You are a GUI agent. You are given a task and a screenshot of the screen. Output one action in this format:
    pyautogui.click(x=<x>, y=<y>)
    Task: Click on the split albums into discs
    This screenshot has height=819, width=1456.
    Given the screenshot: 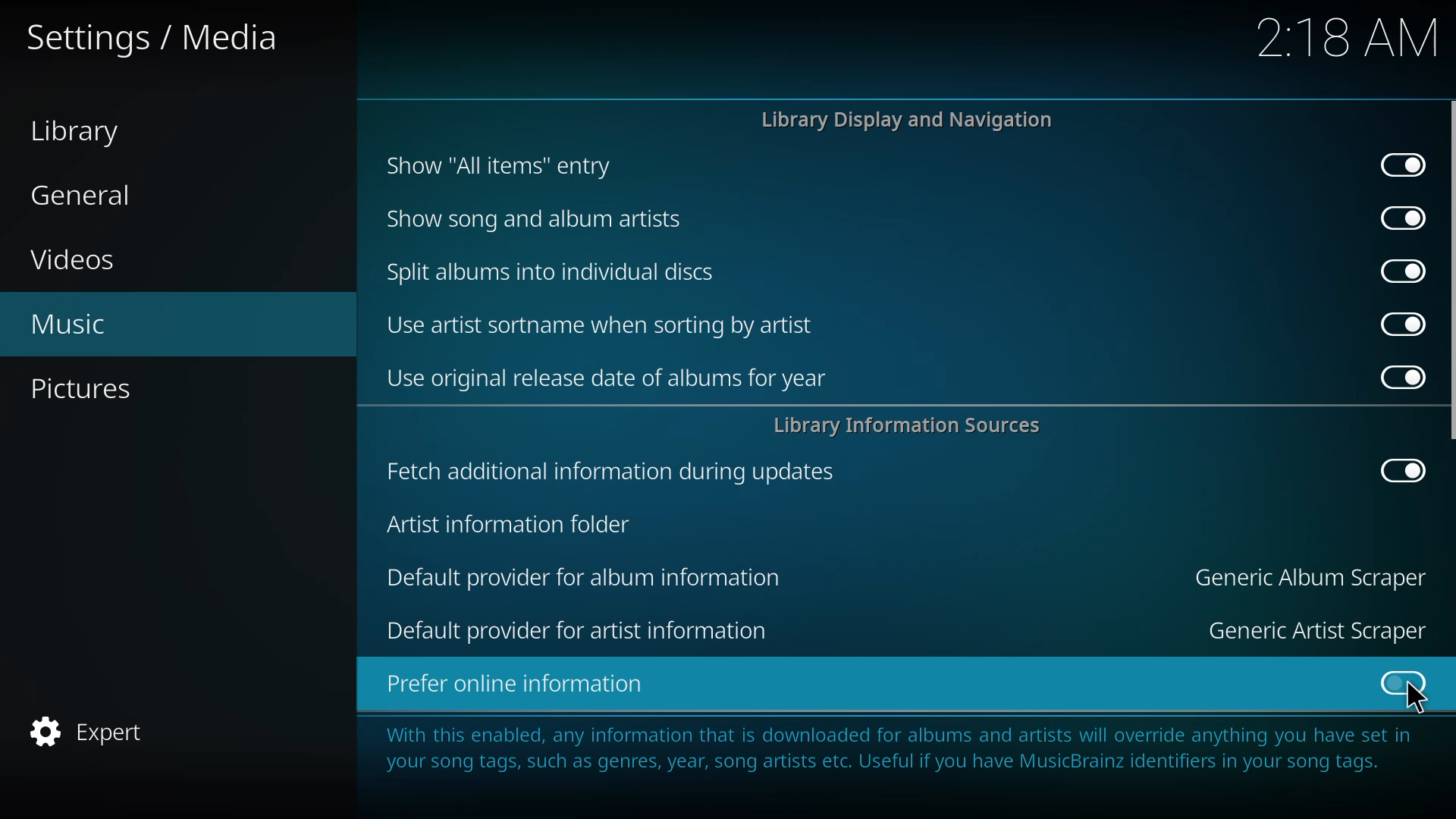 What is the action you would take?
    pyautogui.click(x=548, y=270)
    